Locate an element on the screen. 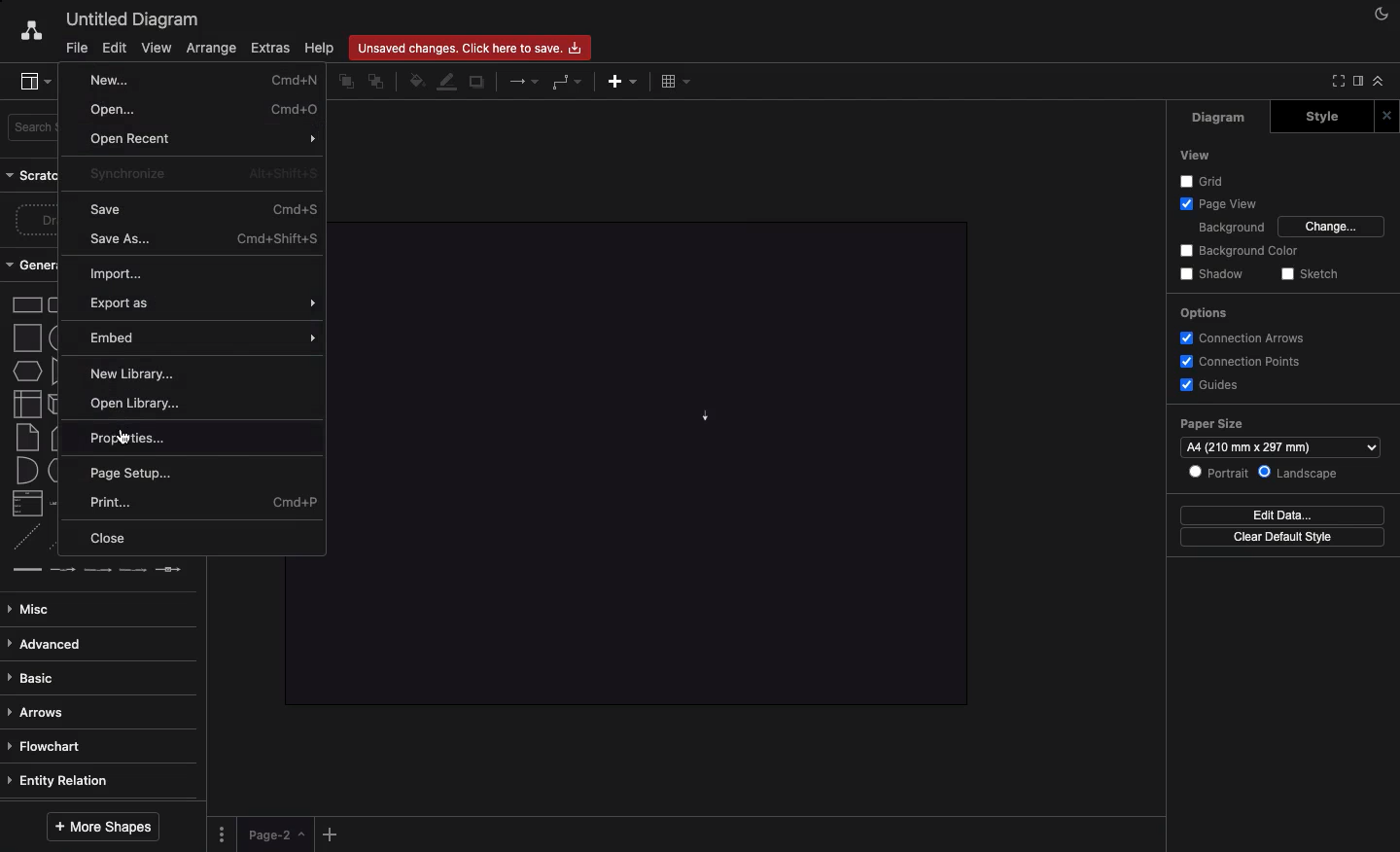 Image resolution: width=1400 pixels, height=852 pixels. Options is located at coordinates (1203, 315).